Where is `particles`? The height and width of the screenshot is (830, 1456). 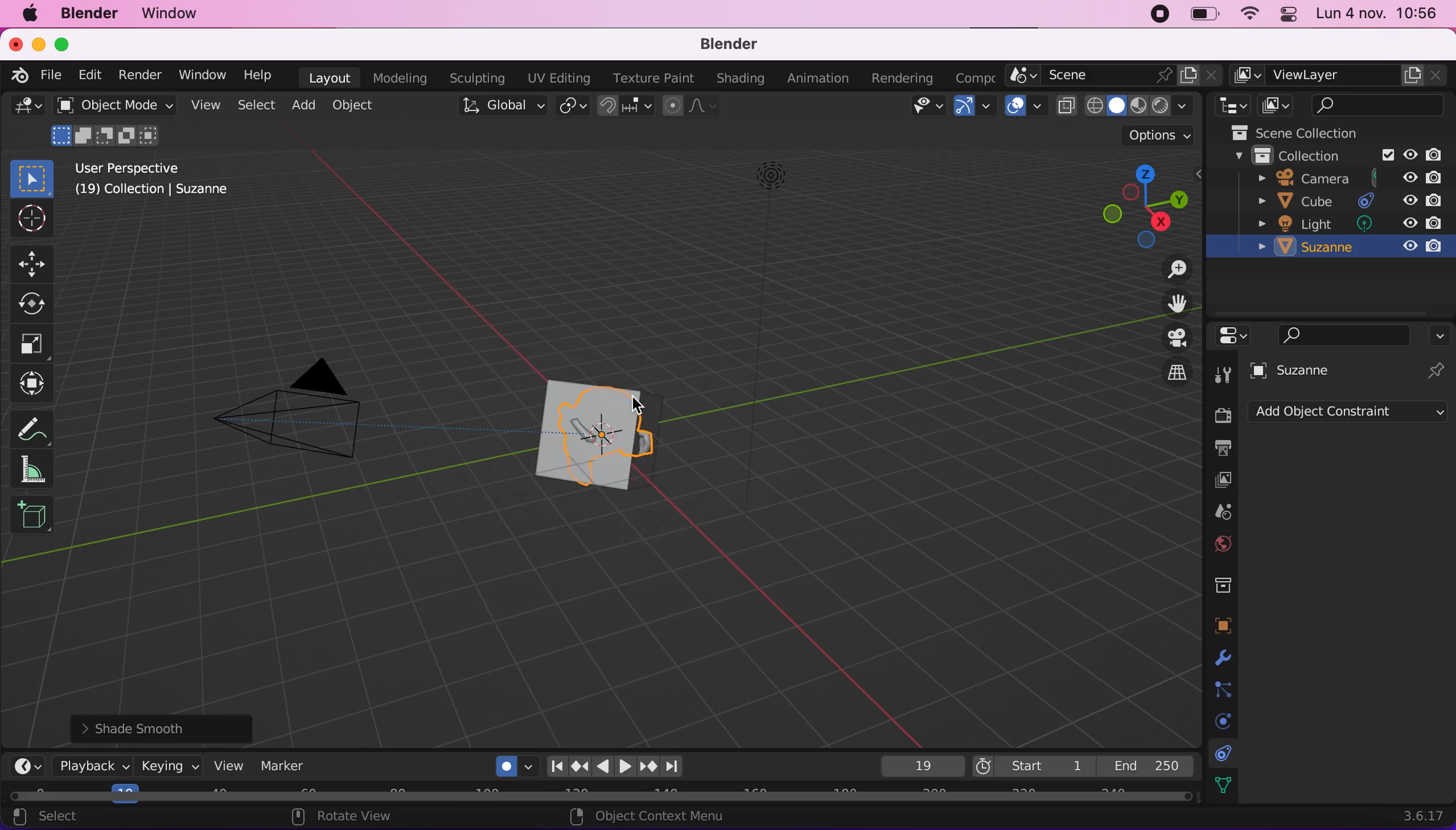 particles is located at coordinates (1221, 687).